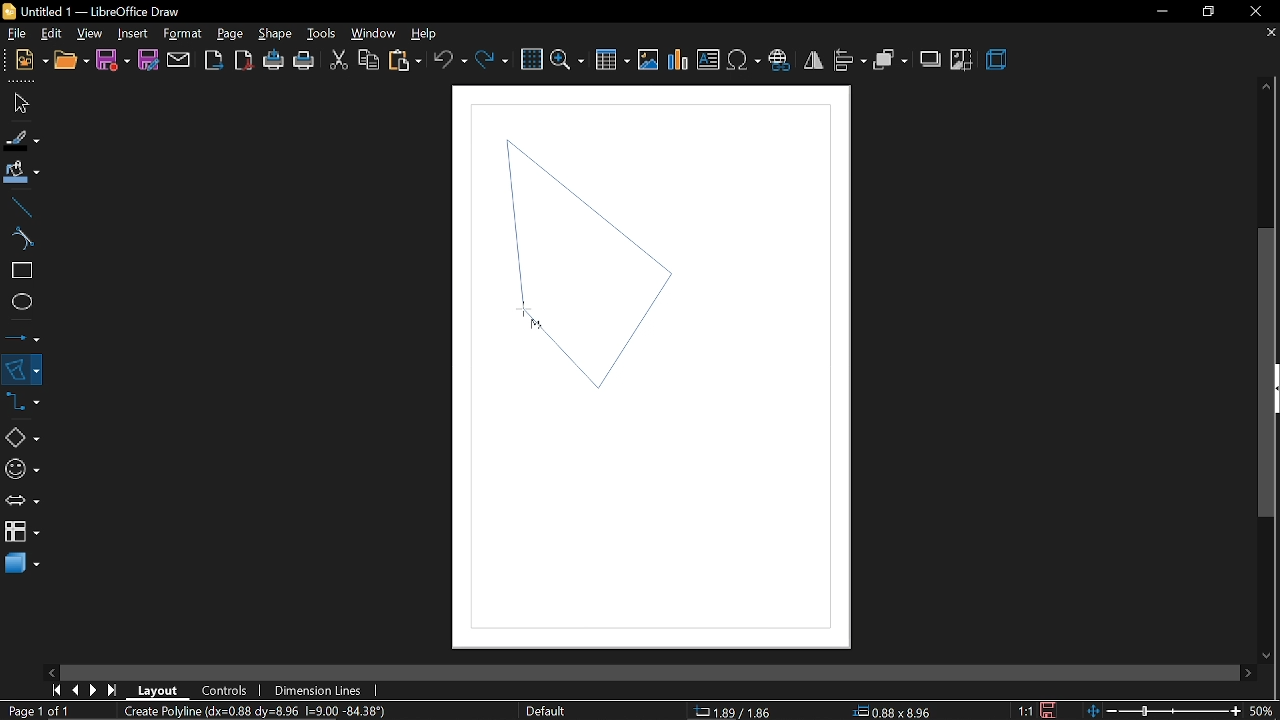 This screenshot has width=1280, height=720. I want to click on vertical scrollbar, so click(1268, 373).